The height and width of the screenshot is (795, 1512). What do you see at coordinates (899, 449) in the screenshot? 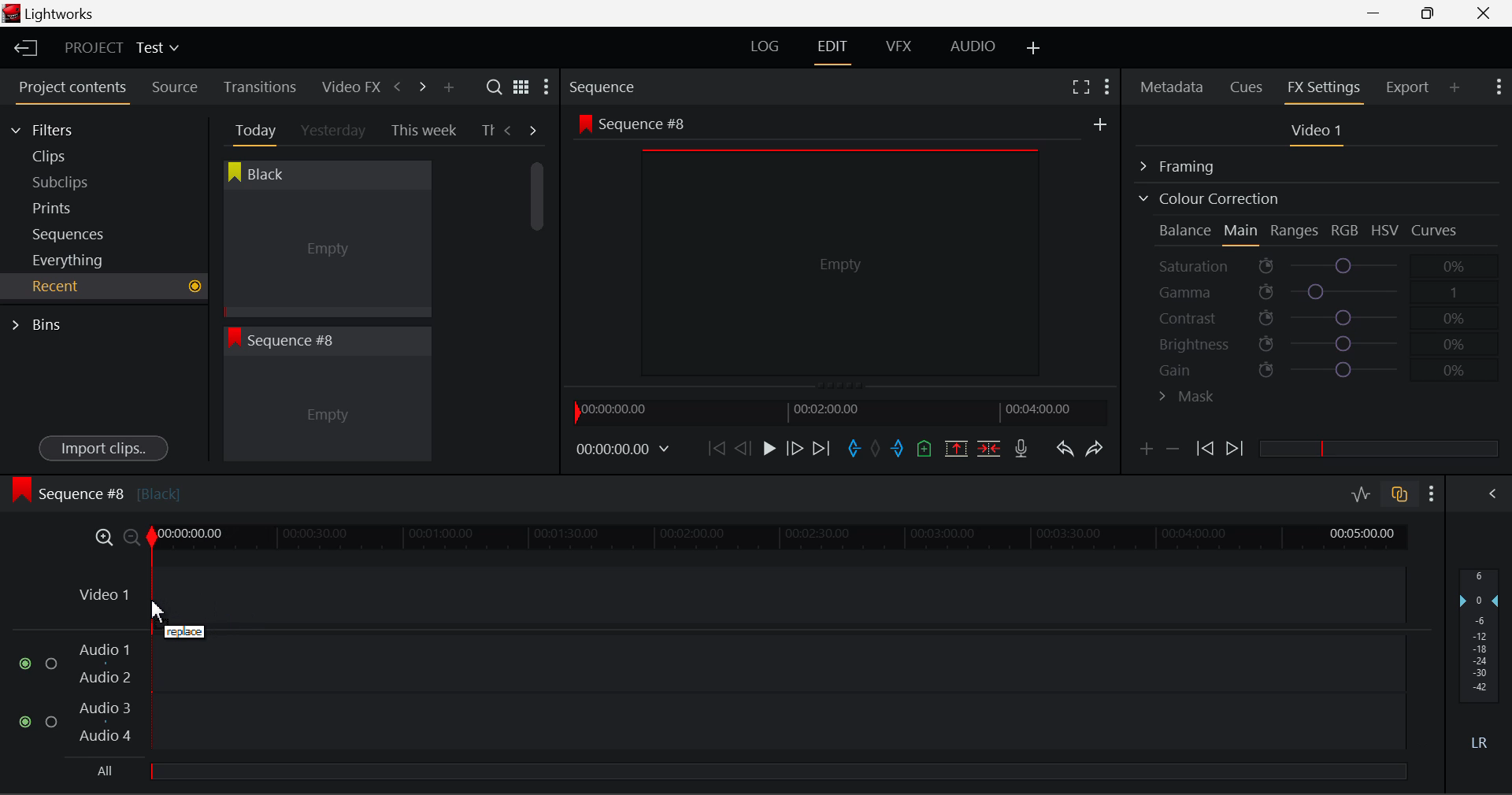
I see `Mark Out` at bounding box center [899, 449].